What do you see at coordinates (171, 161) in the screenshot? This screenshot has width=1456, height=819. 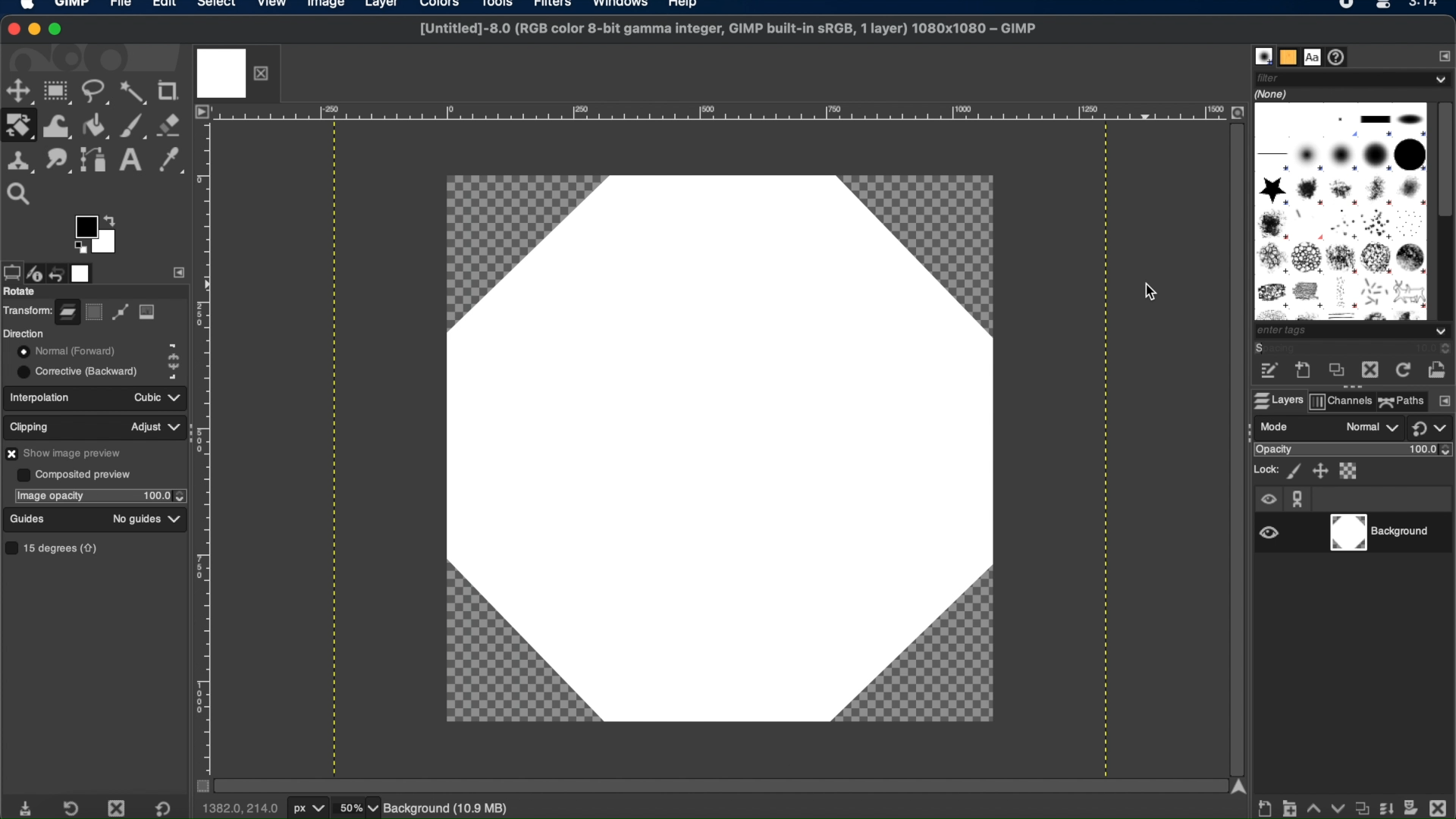 I see `color picker tool` at bounding box center [171, 161].